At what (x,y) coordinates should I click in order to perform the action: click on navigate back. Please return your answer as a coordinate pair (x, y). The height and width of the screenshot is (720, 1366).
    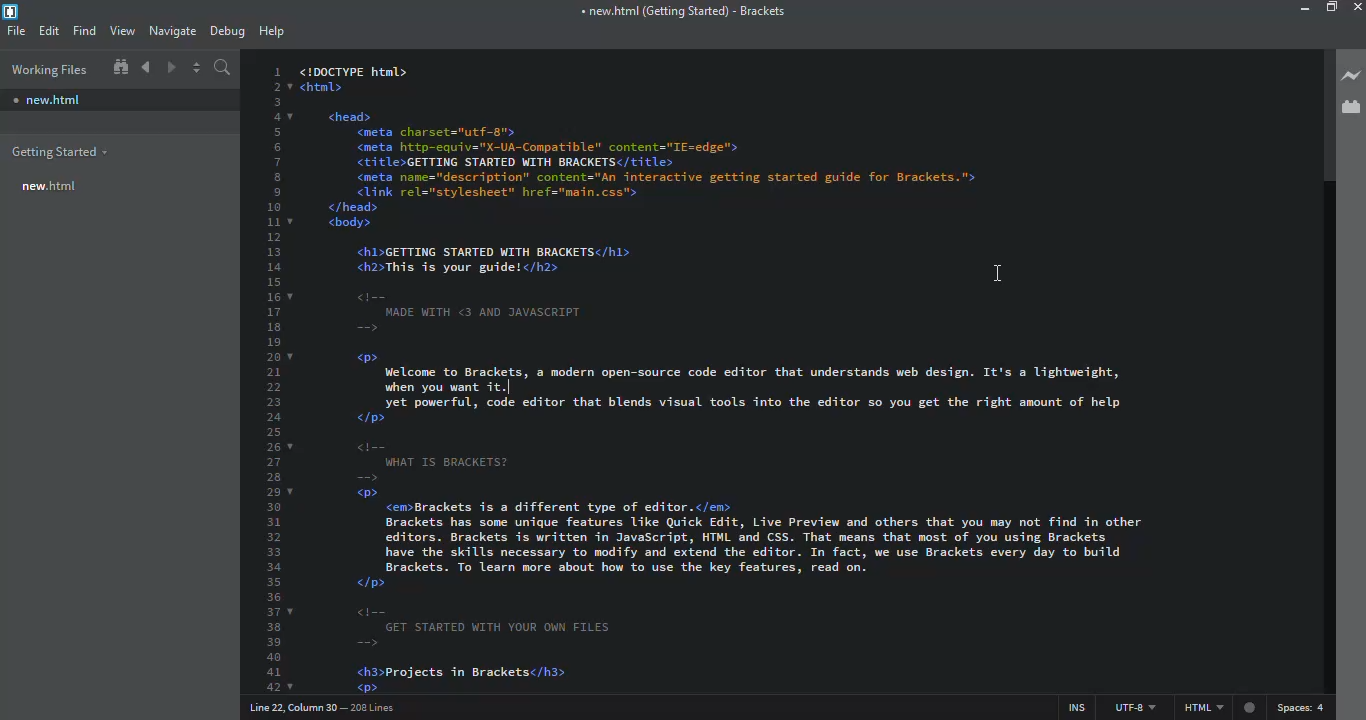
    Looking at the image, I should click on (146, 67).